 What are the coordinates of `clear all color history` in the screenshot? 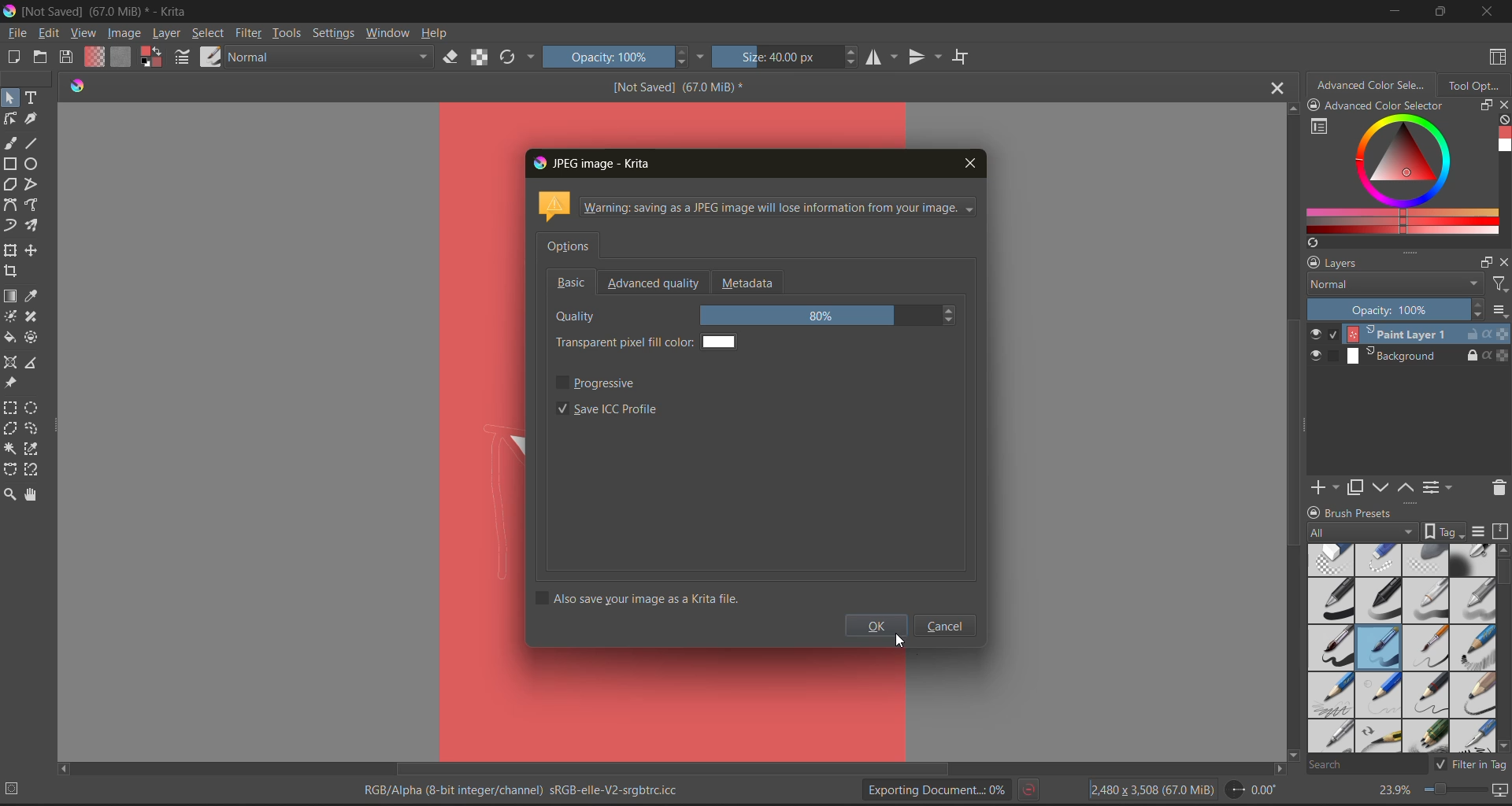 It's located at (1501, 119).